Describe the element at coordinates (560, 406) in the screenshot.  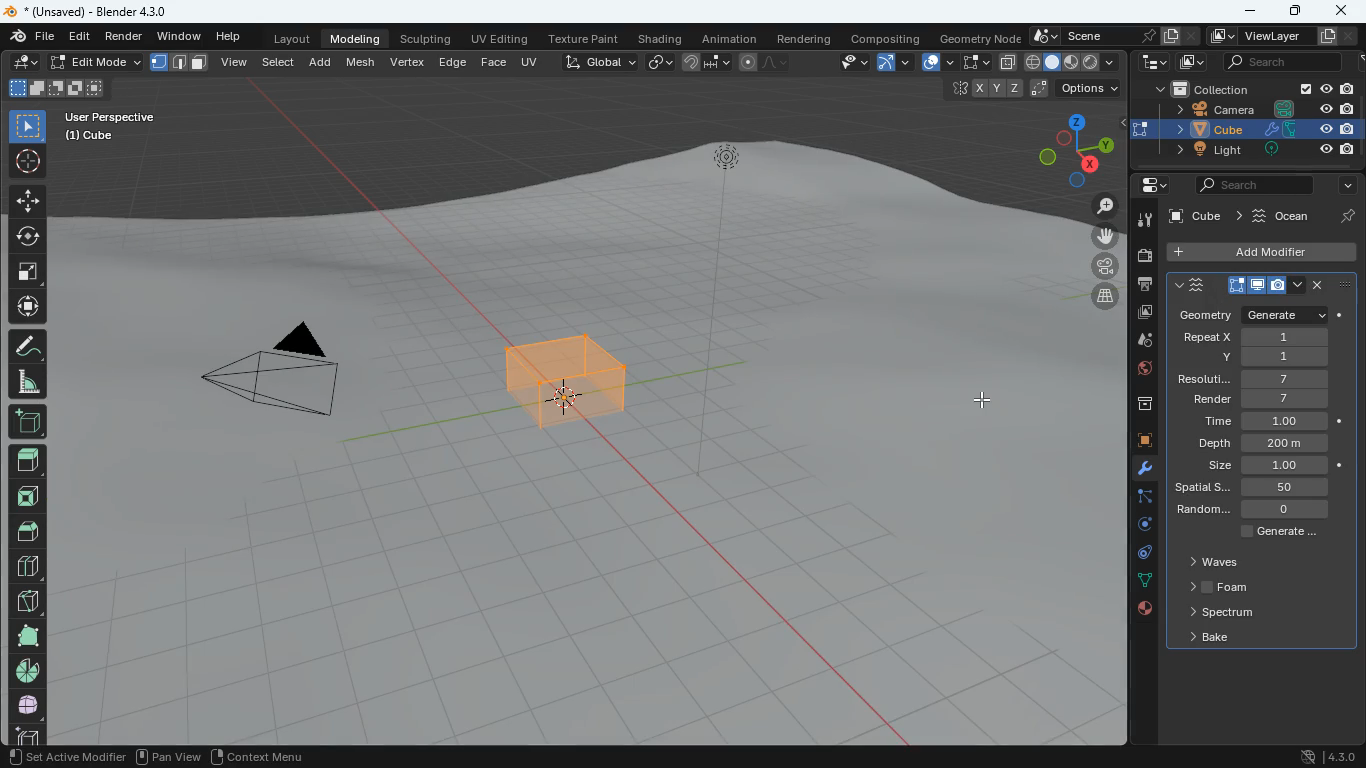
I see `cube` at that location.